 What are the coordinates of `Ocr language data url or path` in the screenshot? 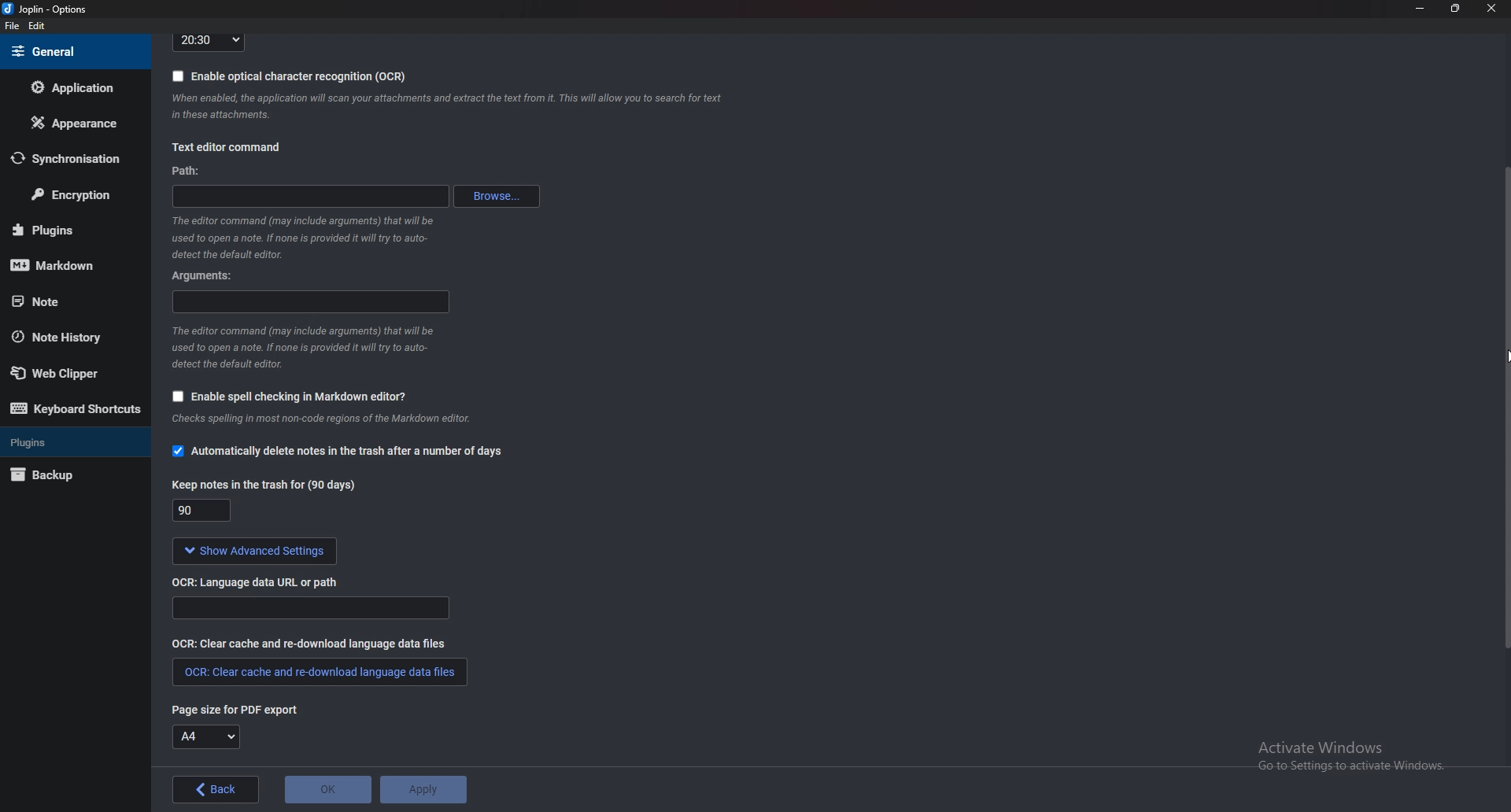 It's located at (310, 608).